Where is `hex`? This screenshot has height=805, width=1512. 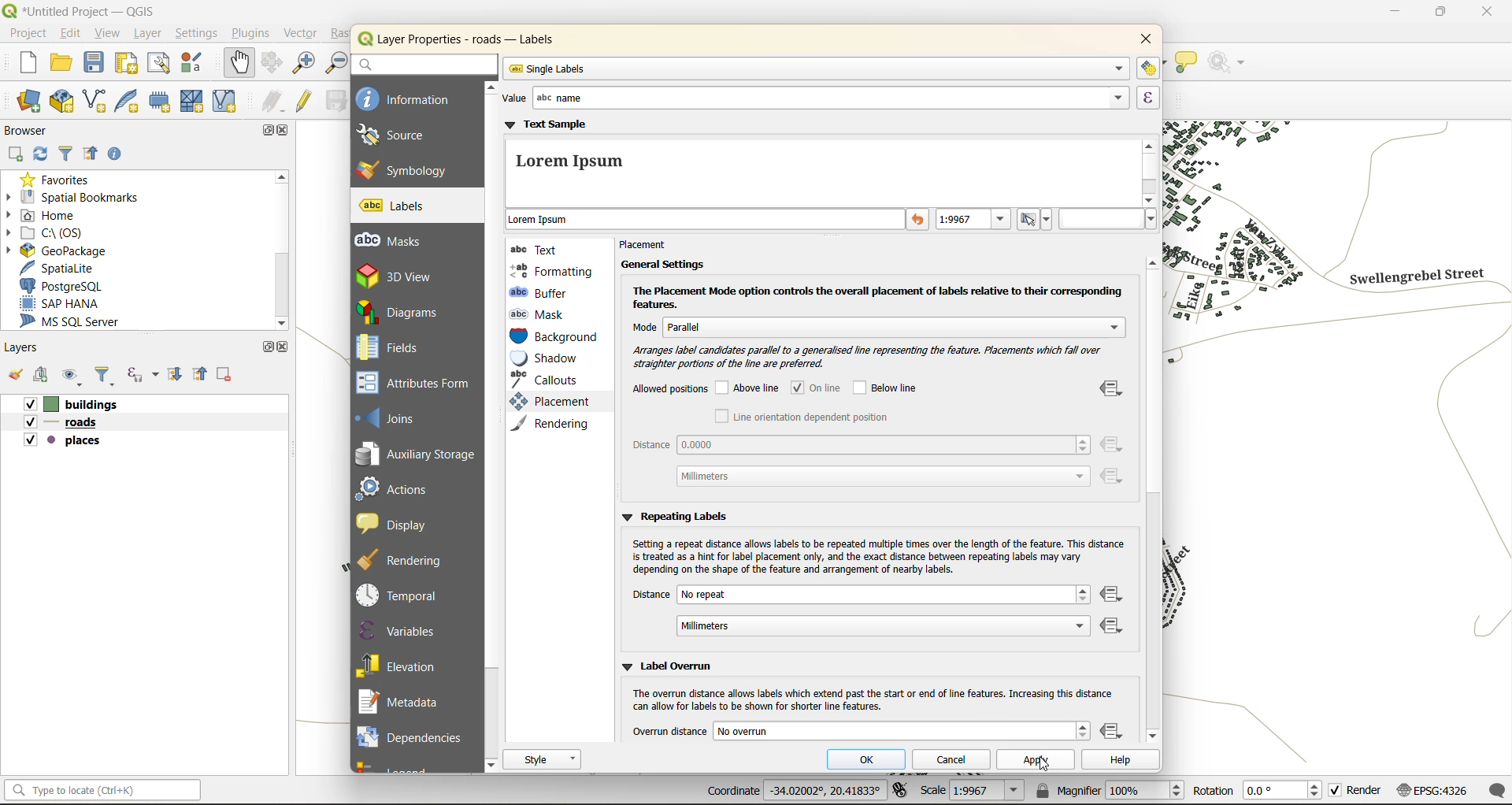
hex is located at coordinates (1108, 219).